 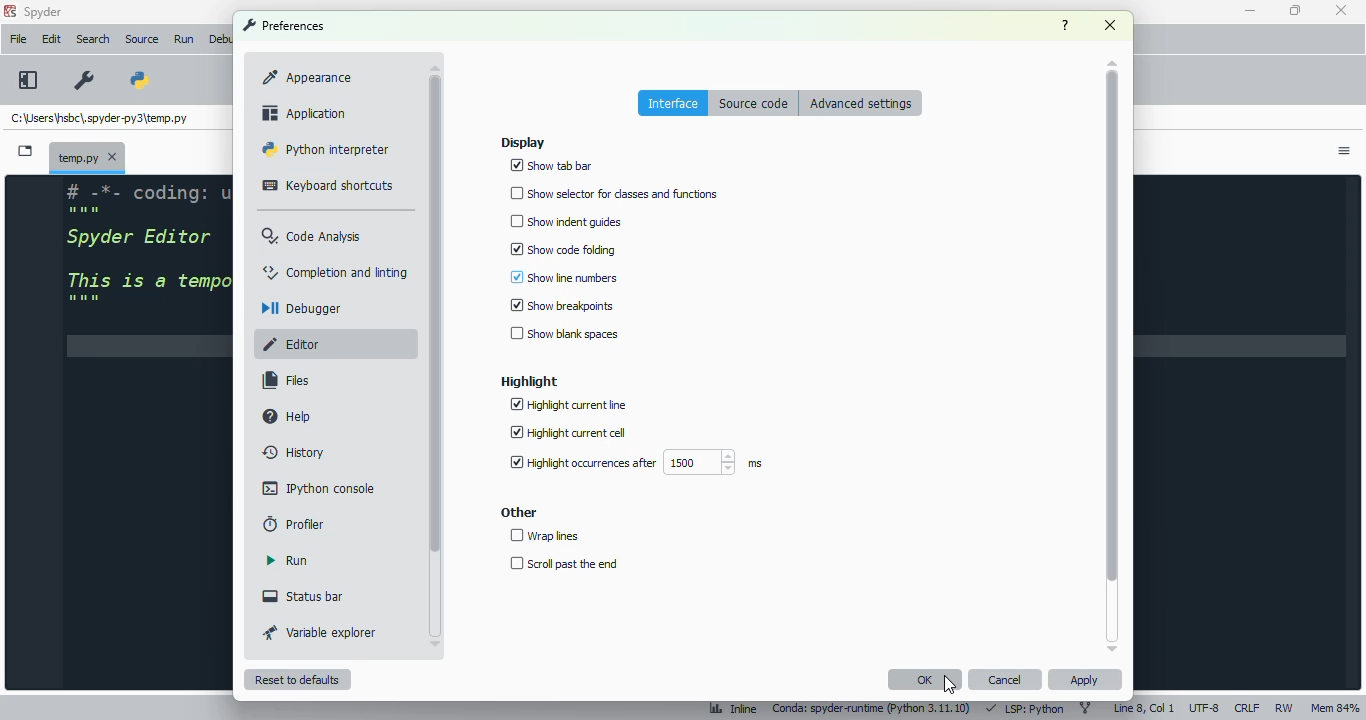 I want to click on run, so click(x=184, y=40).